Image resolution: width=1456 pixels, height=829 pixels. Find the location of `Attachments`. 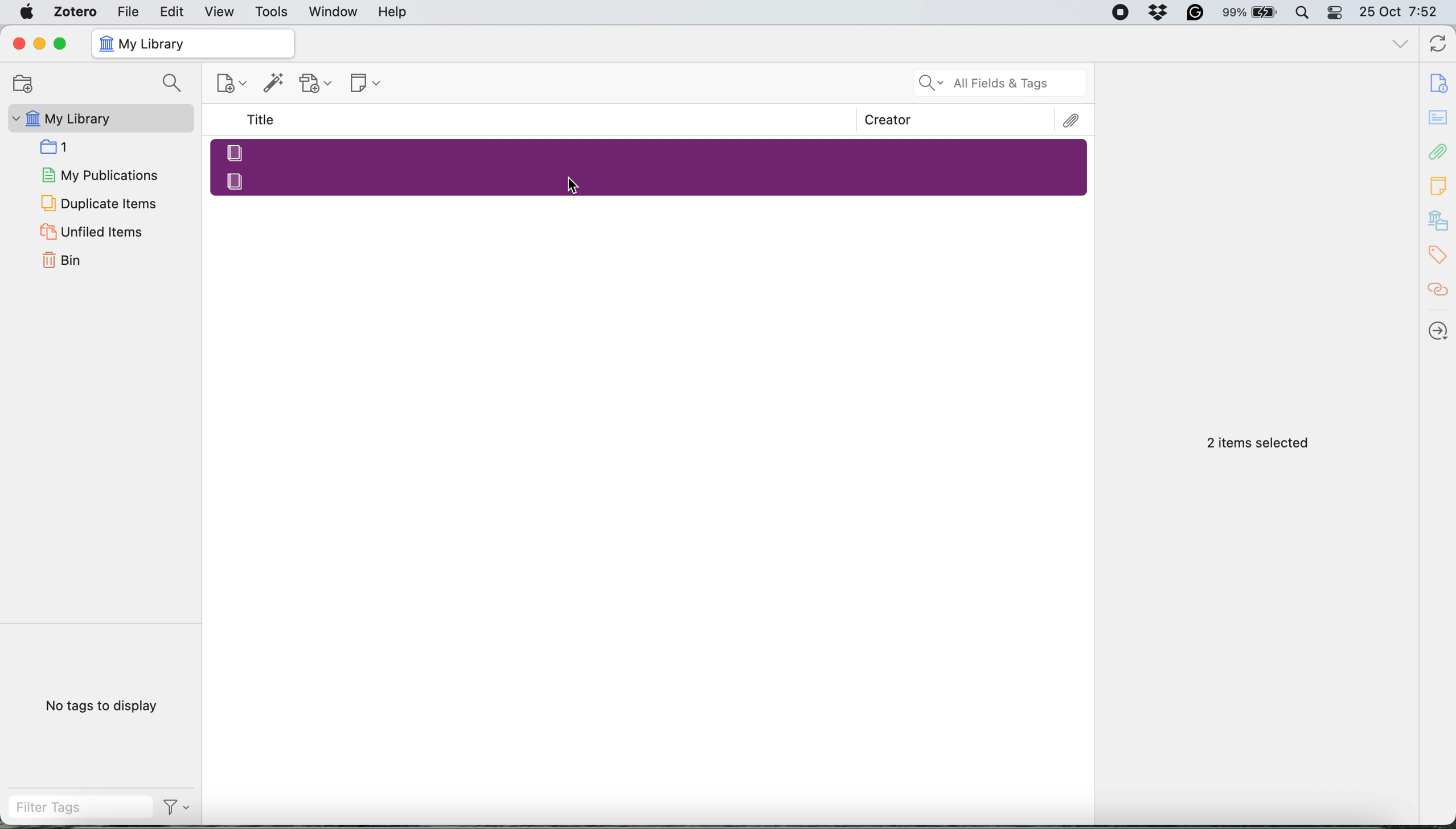

Attachments is located at coordinates (1072, 121).